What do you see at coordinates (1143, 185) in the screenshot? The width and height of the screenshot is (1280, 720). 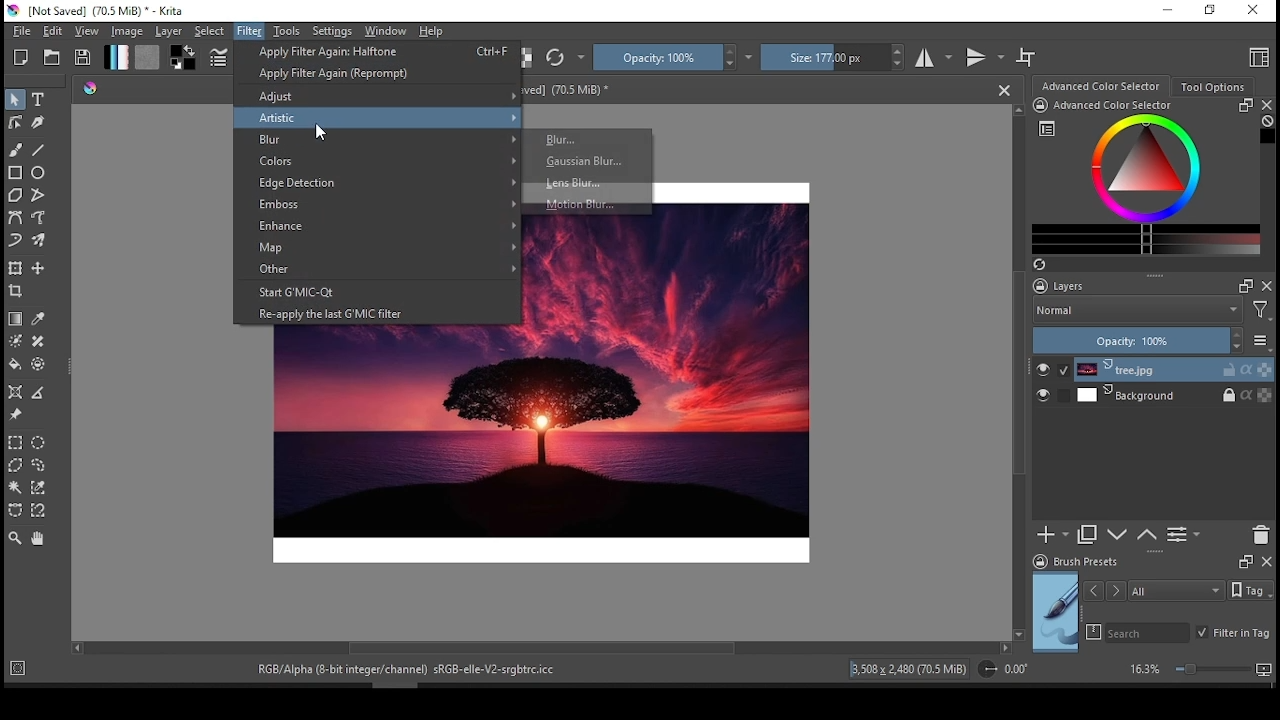 I see `advanced color selector` at bounding box center [1143, 185].